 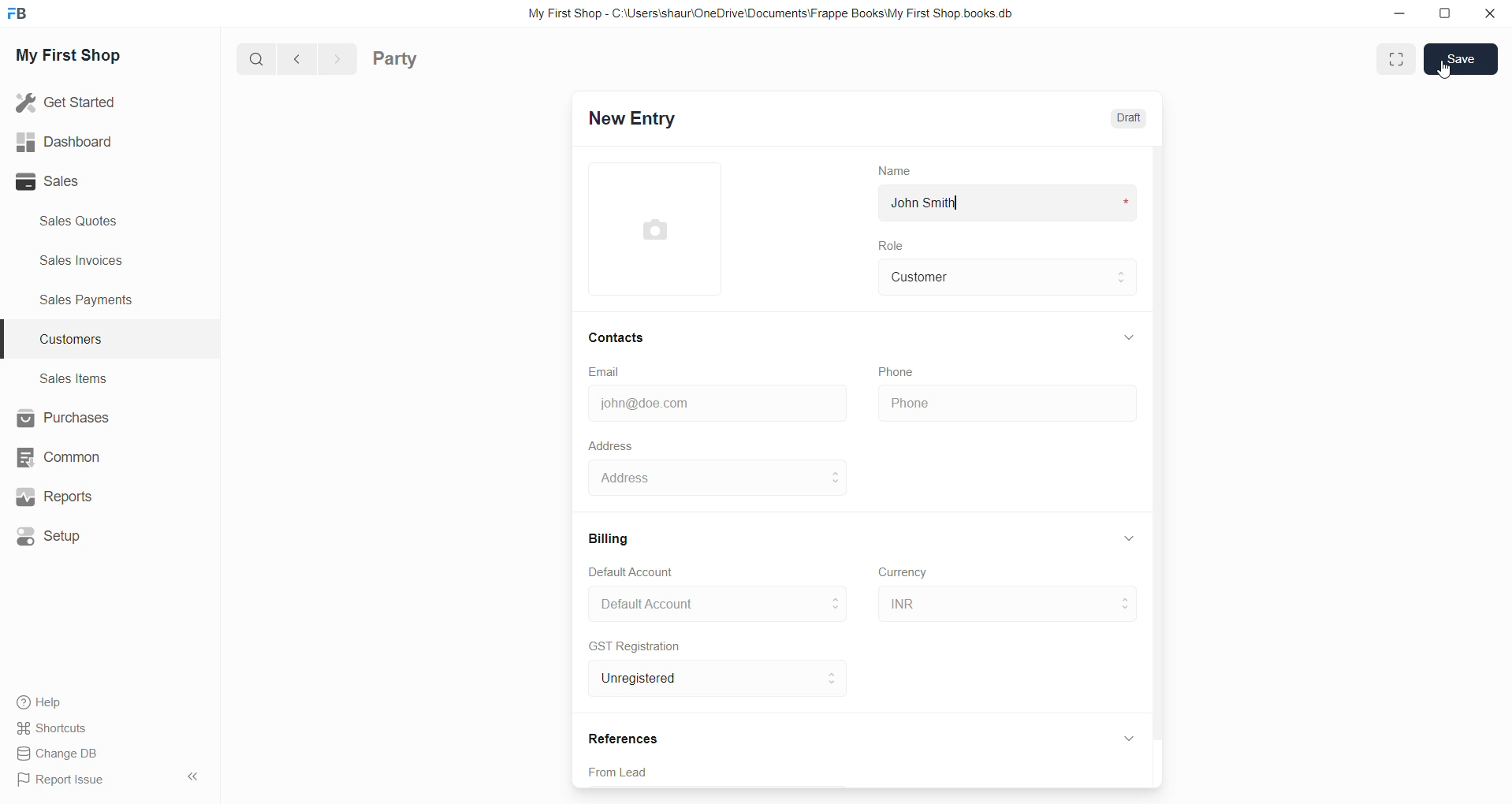 What do you see at coordinates (80, 262) in the screenshot?
I see `sales invoices ` at bounding box center [80, 262].